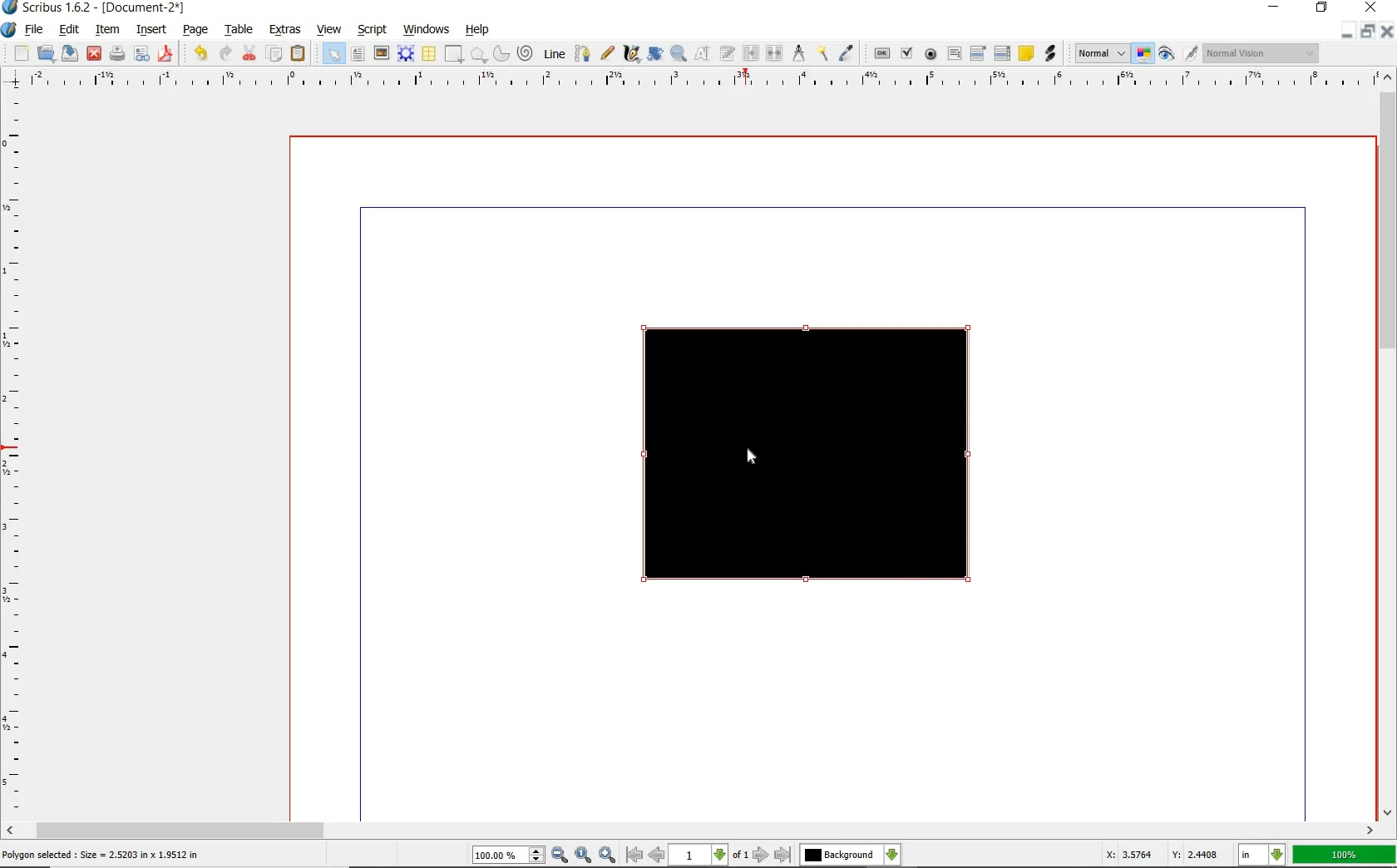 This screenshot has width=1397, height=868. Describe the element at coordinates (501, 55) in the screenshot. I see `arc` at that location.